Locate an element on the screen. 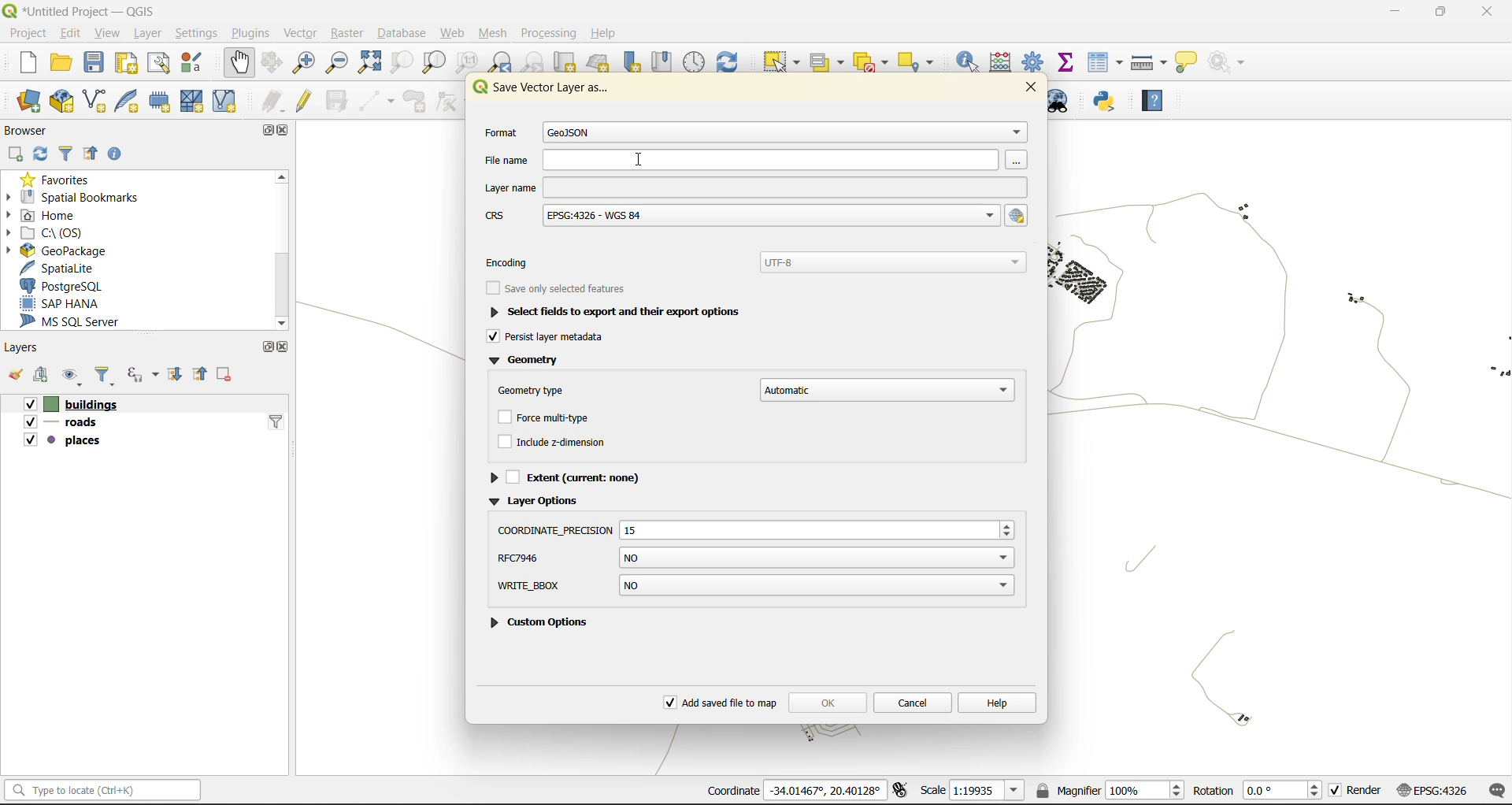  new 3d map view is located at coordinates (600, 65).